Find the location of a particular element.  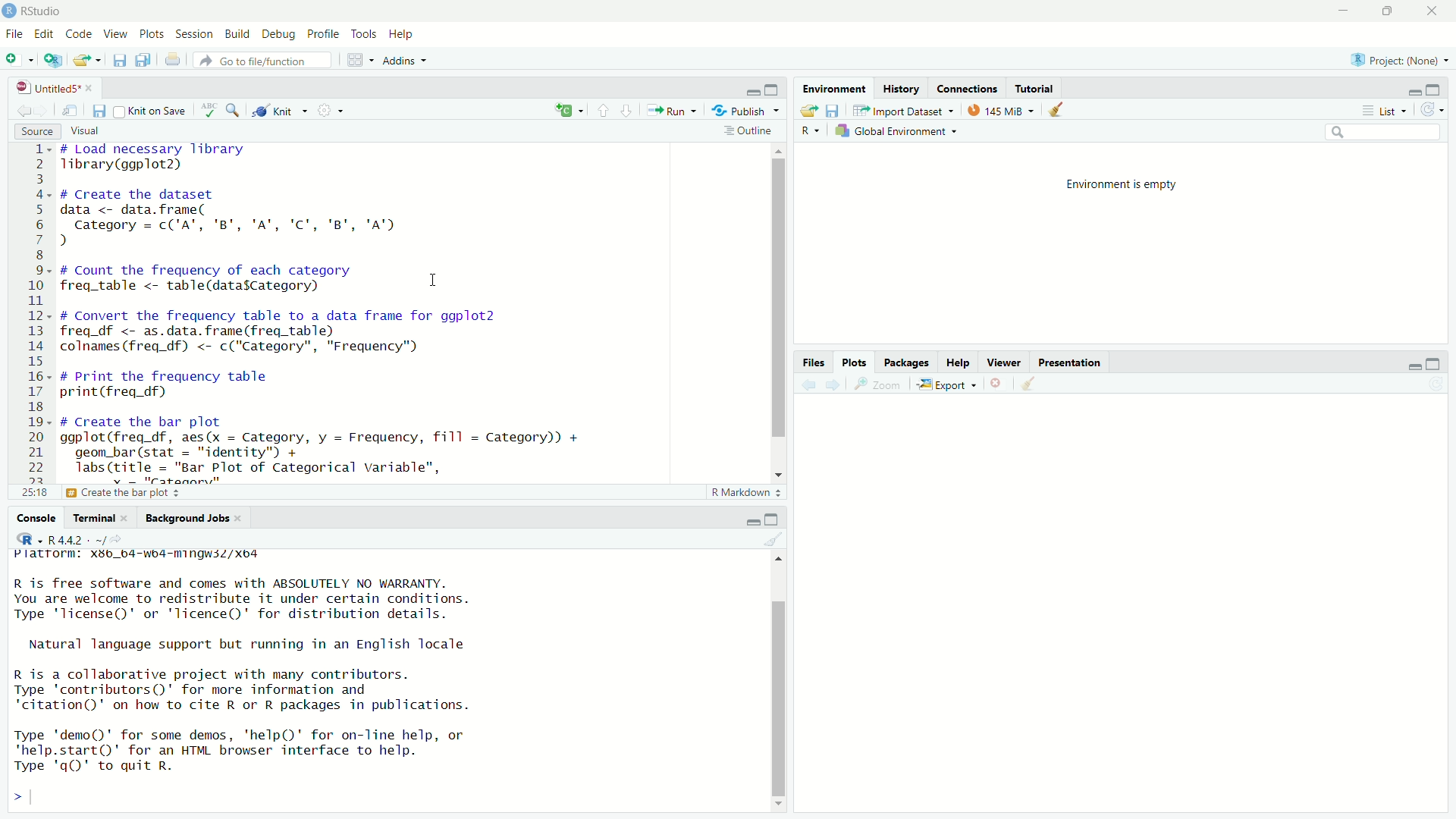

workspace panes is located at coordinates (358, 62).